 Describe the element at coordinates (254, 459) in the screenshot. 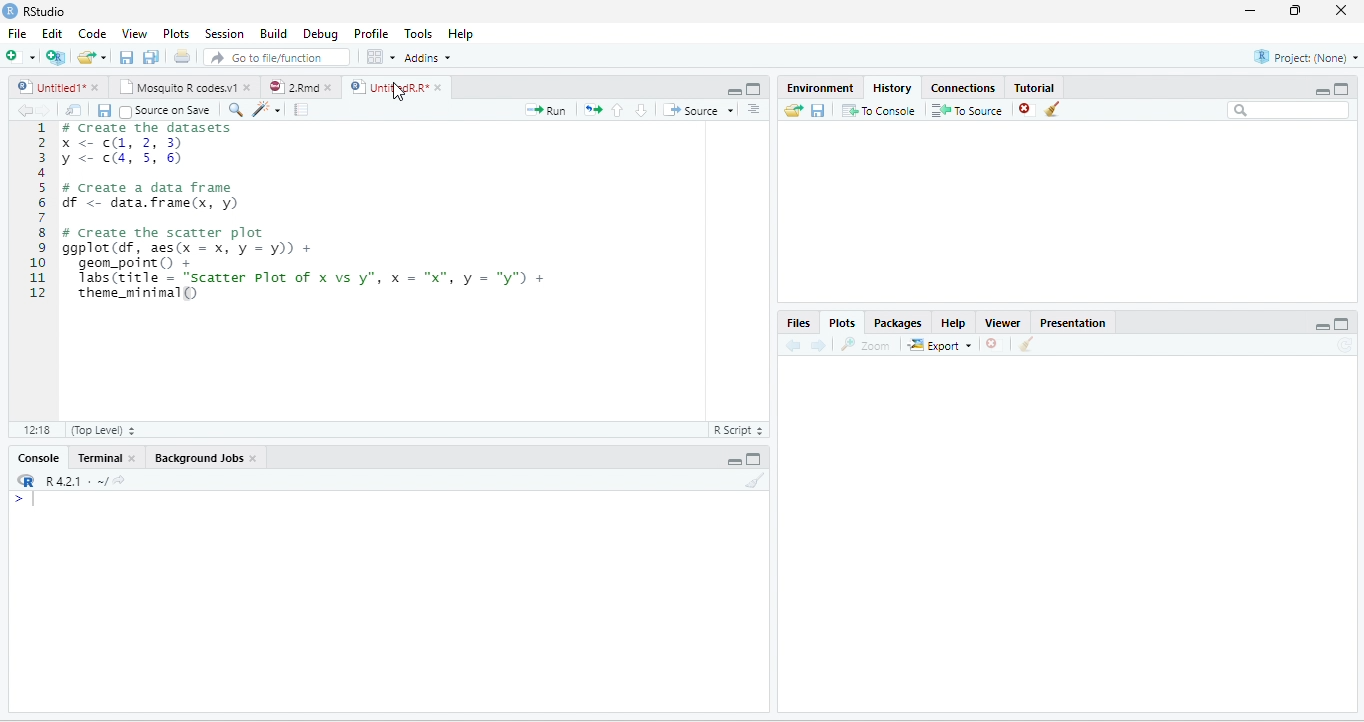

I see `close` at that location.